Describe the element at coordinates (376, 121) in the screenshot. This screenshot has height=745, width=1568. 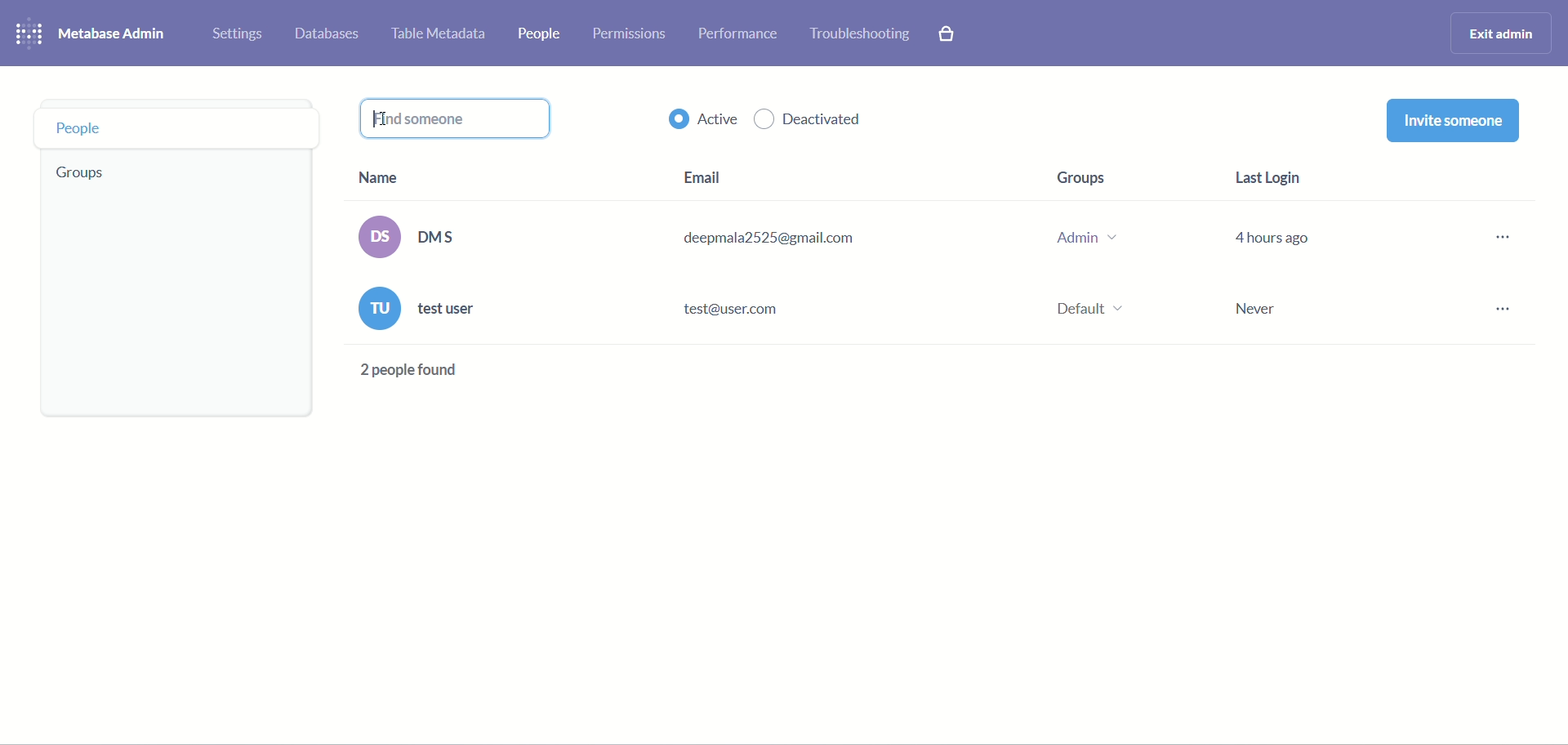
I see `cursor` at that location.